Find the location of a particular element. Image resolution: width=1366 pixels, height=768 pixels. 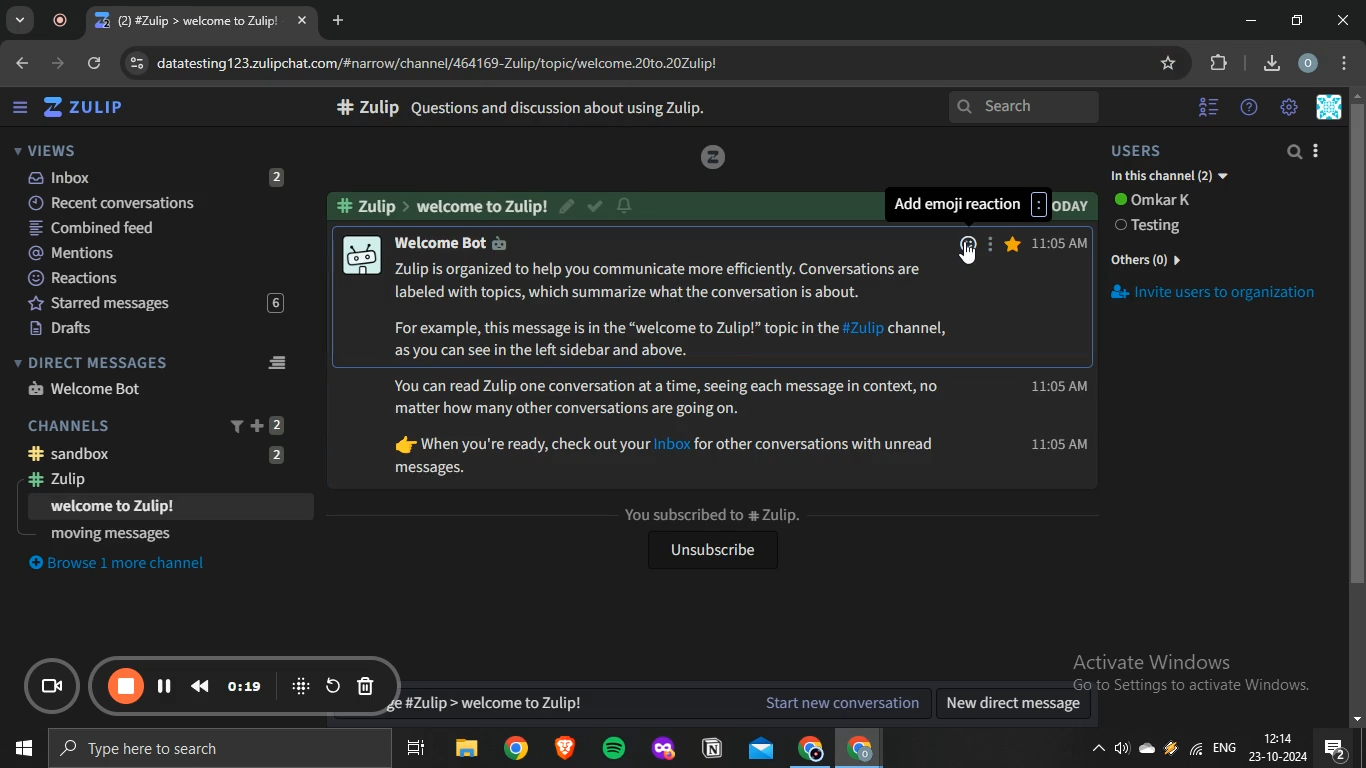

file explorer is located at coordinates (468, 750).